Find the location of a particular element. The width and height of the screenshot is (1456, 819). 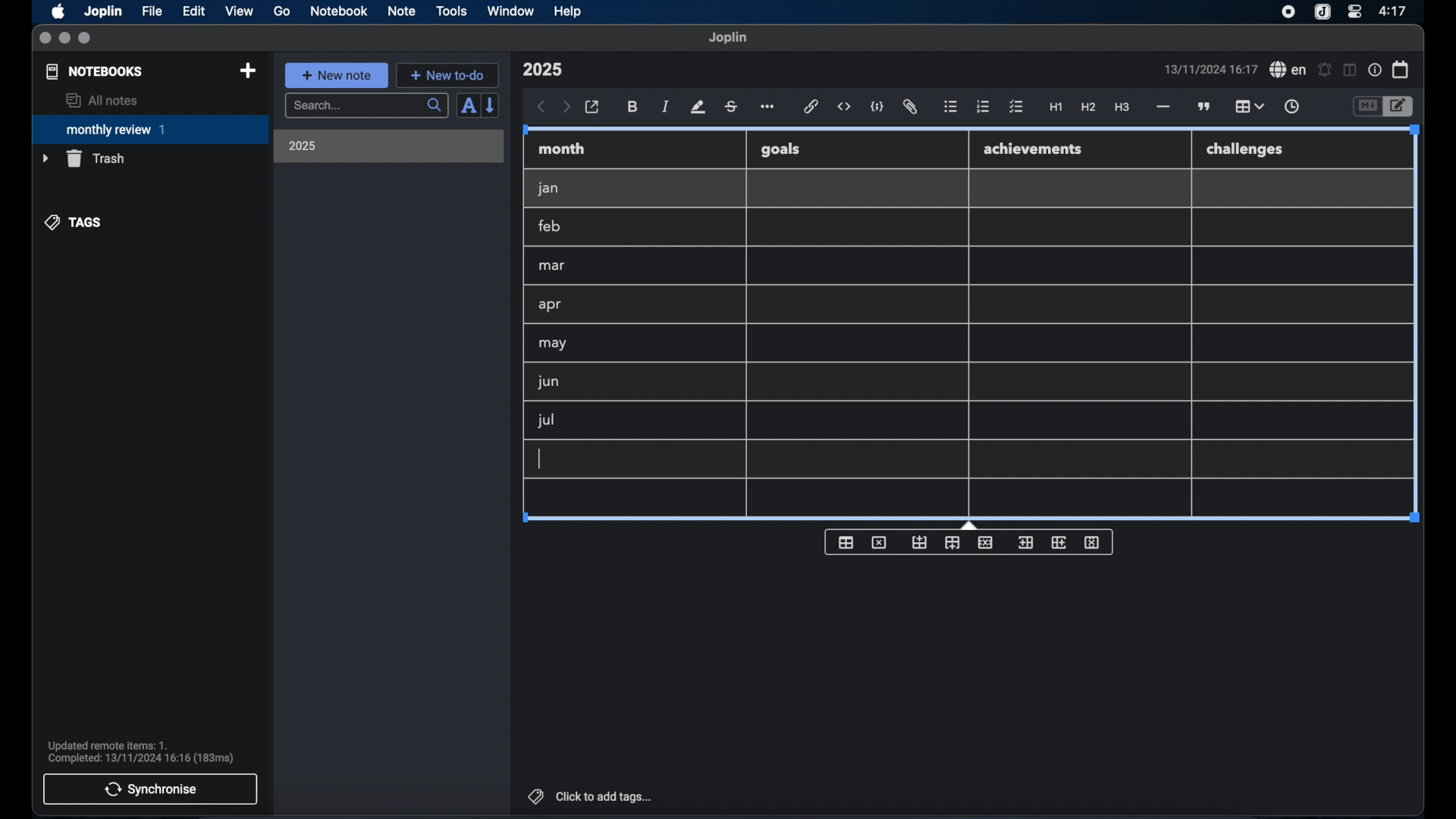

back is located at coordinates (541, 107).